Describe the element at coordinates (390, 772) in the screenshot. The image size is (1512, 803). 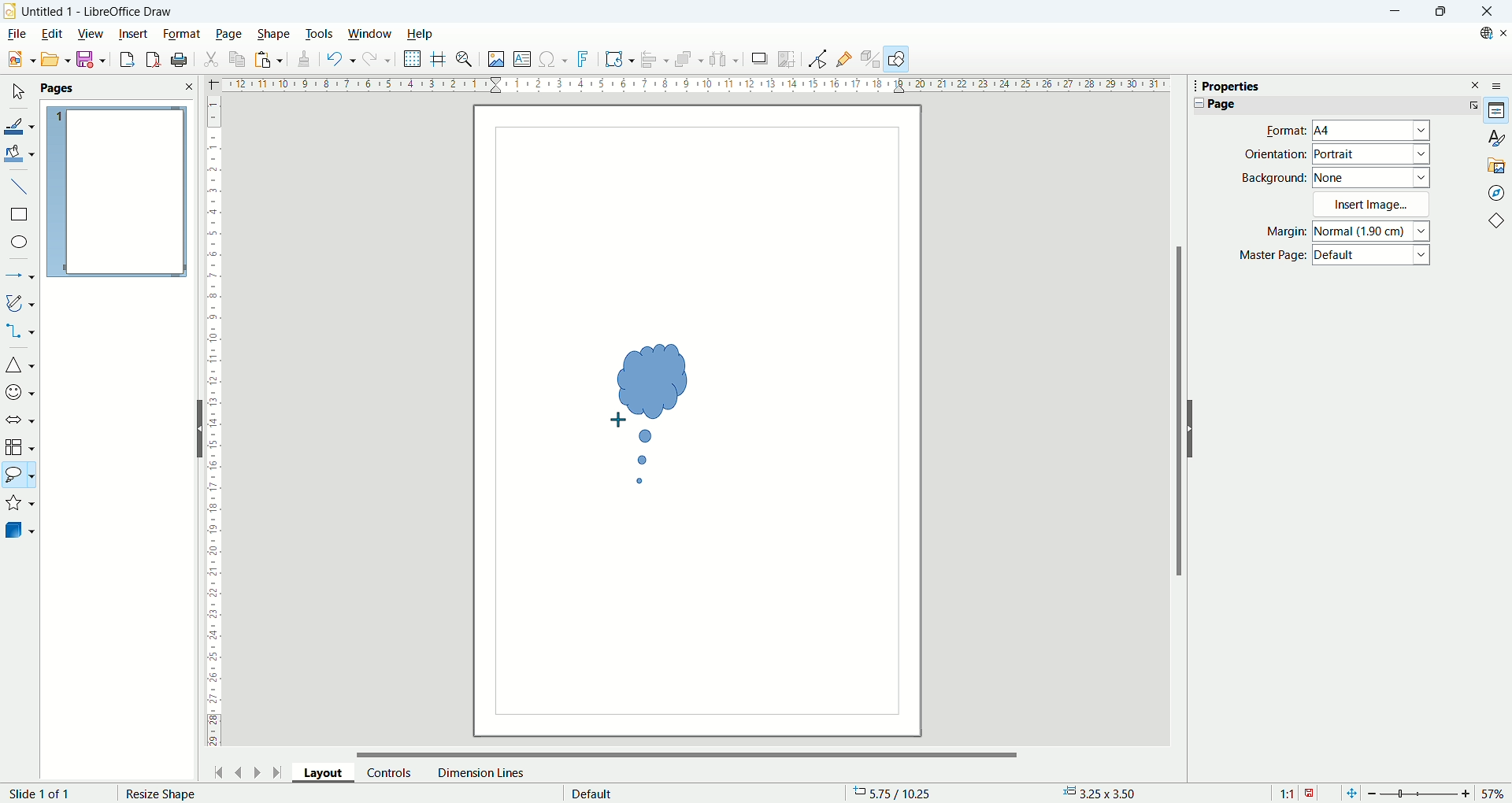
I see `control` at that location.